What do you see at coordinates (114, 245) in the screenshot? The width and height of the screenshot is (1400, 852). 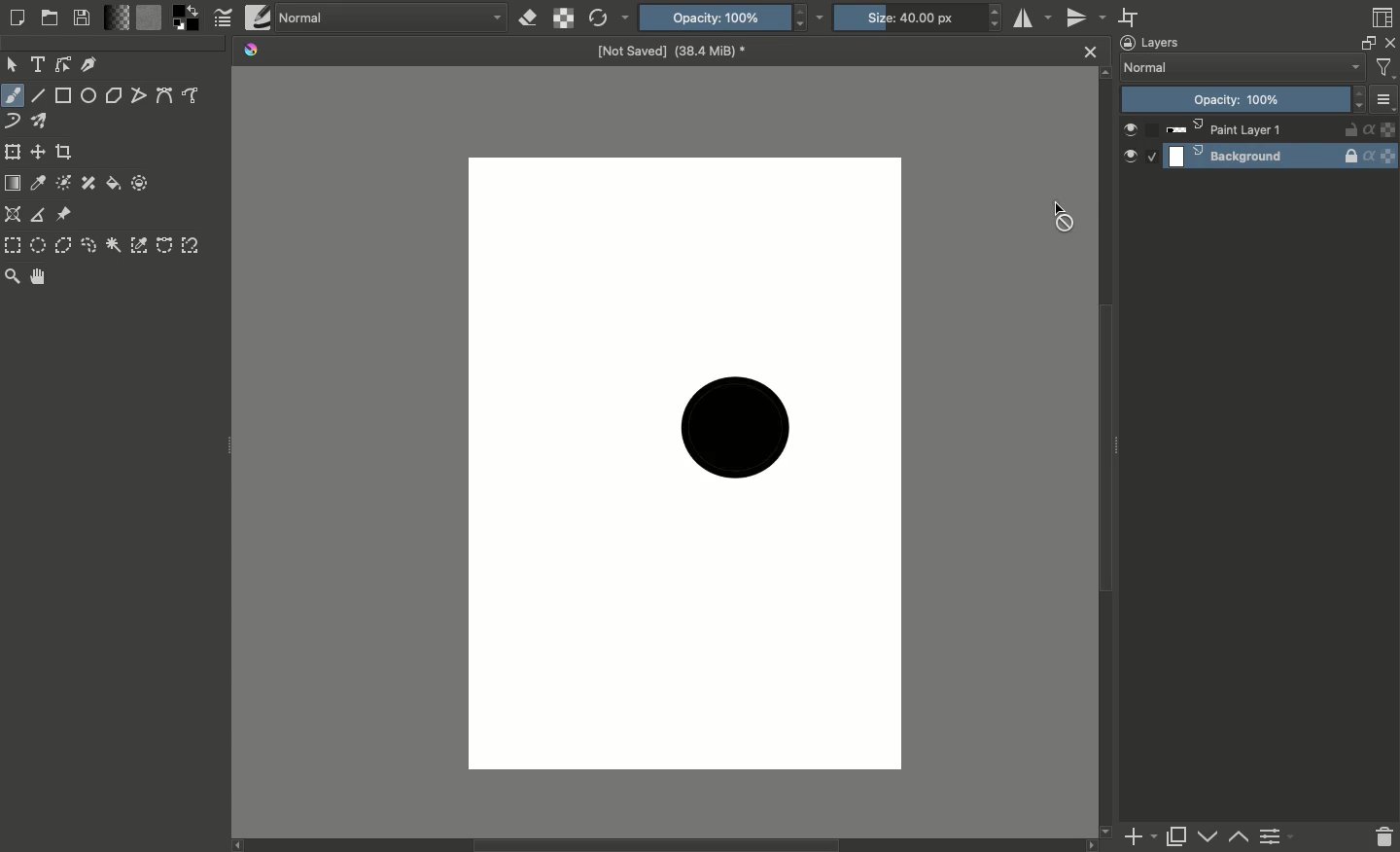 I see `Contiguous selection tool` at bounding box center [114, 245].